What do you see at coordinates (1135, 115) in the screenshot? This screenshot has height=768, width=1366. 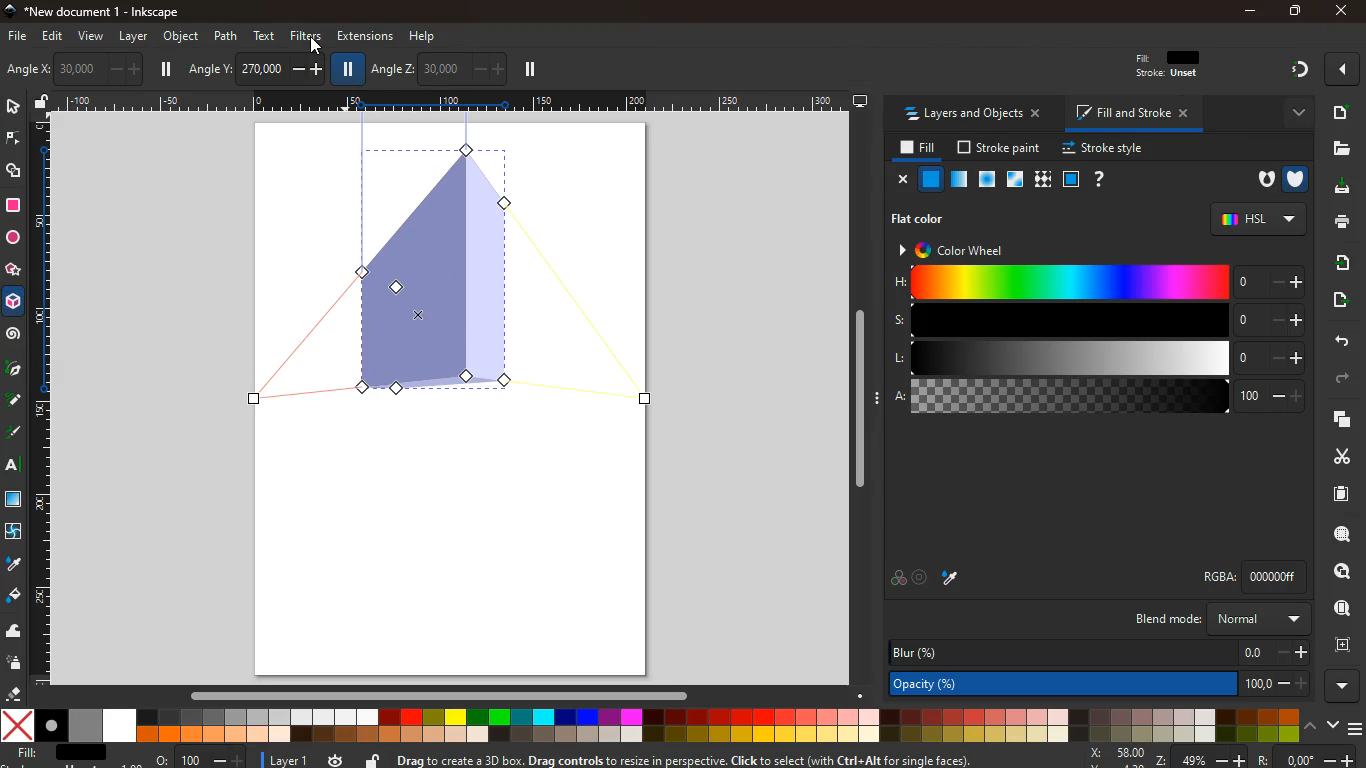 I see `fill and stroke` at bounding box center [1135, 115].